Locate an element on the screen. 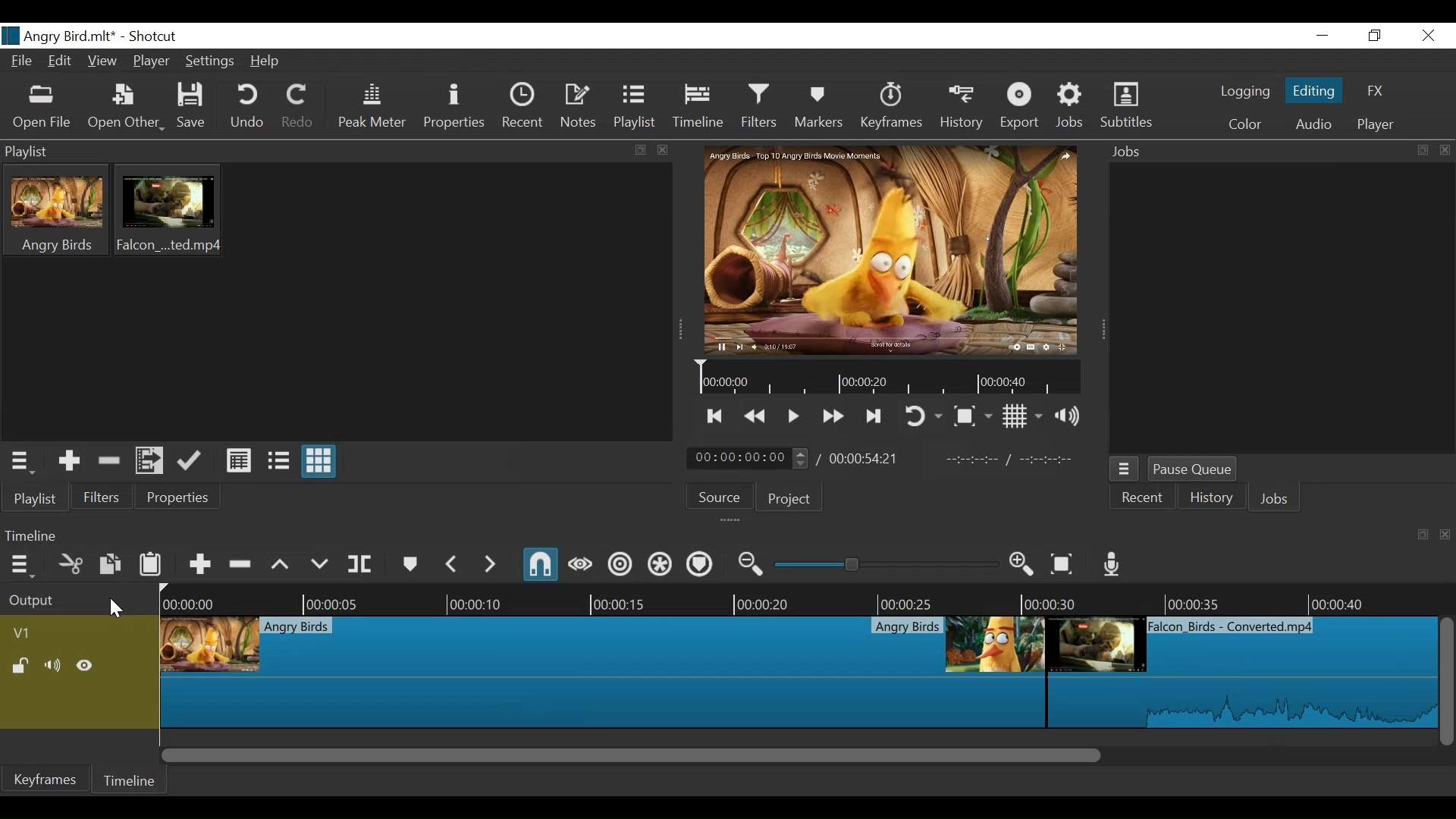 This screenshot has width=1456, height=819. Track Header is located at coordinates (28, 634).